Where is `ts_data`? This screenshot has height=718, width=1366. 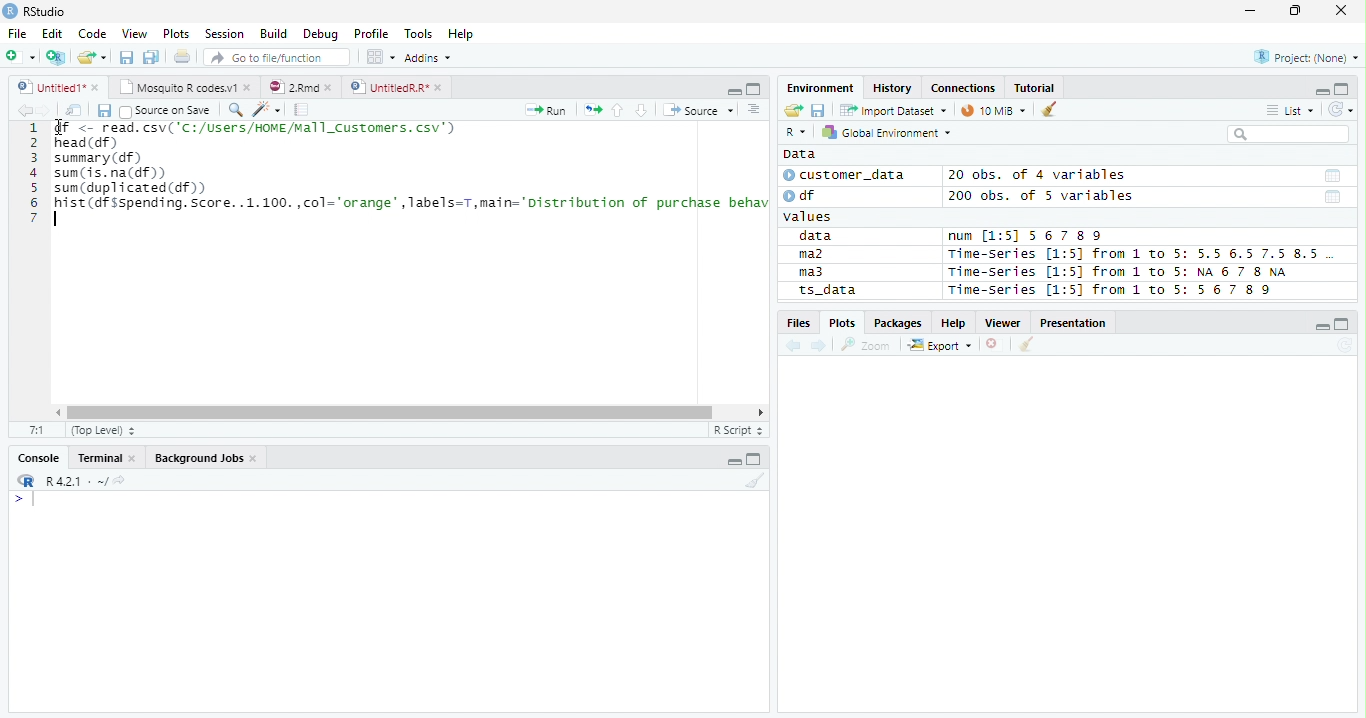
ts_data is located at coordinates (855, 293).